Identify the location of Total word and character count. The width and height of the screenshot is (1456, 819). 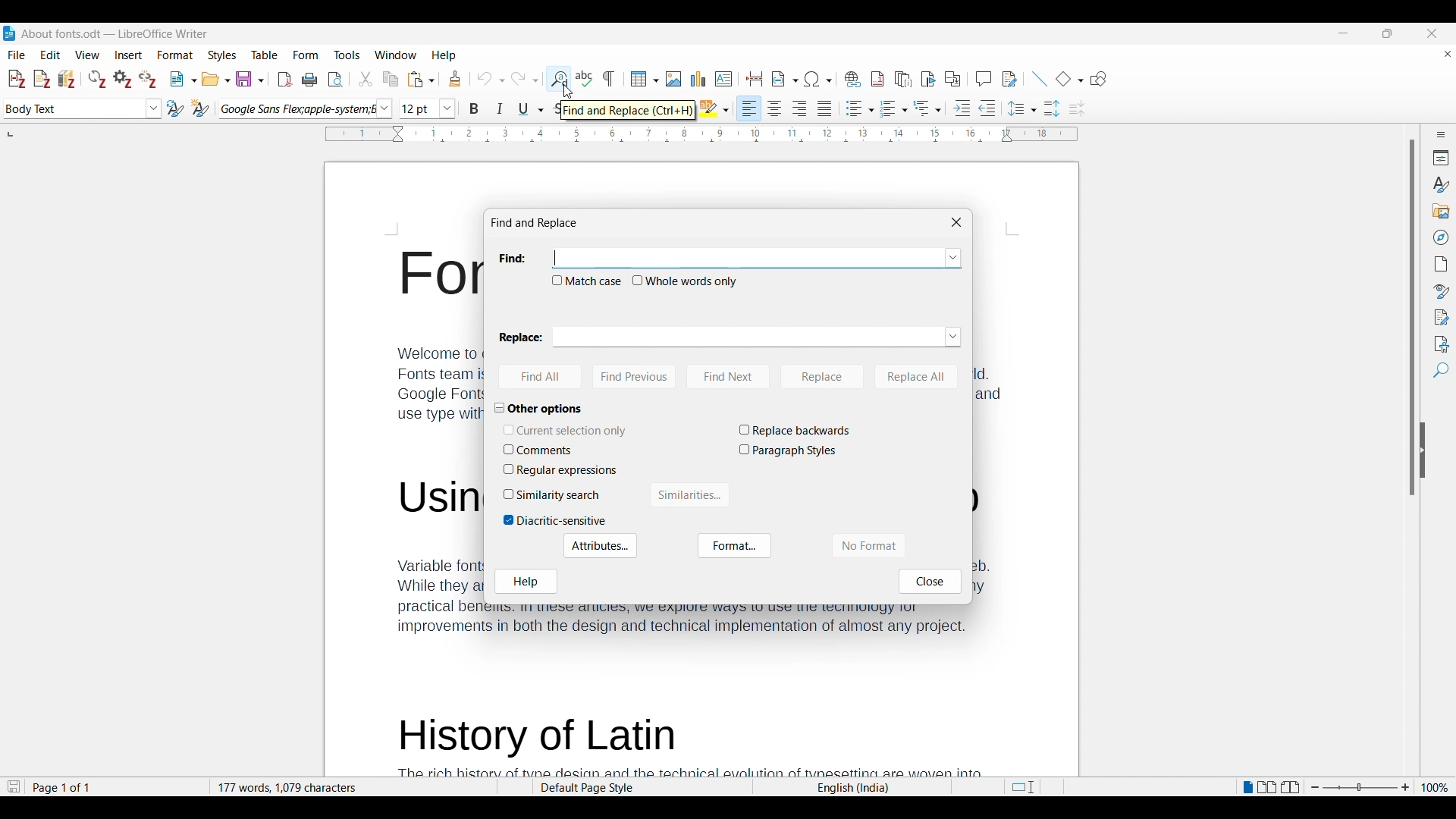
(353, 788).